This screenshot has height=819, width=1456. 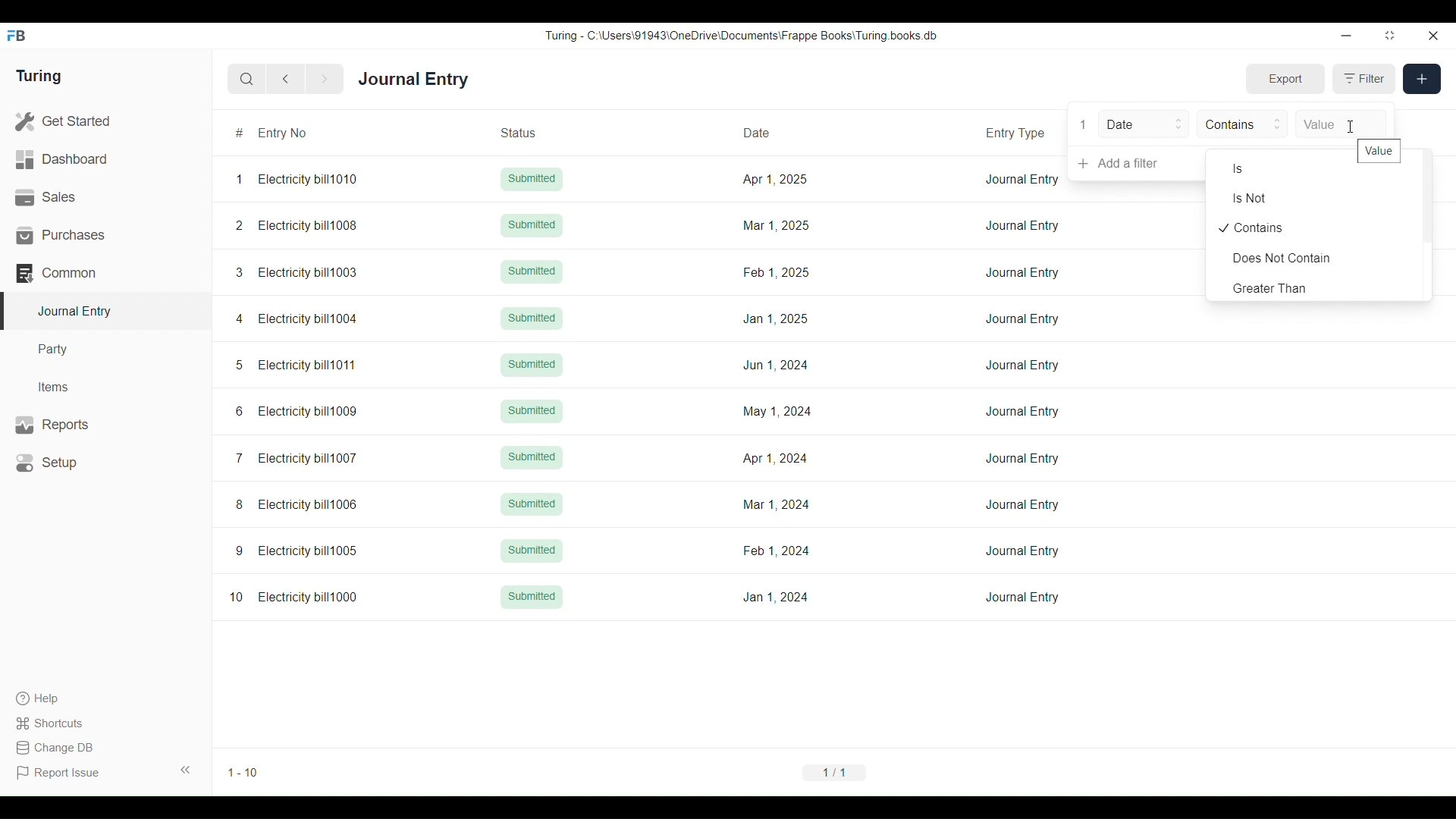 What do you see at coordinates (1379, 150) in the screenshot?
I see `Value` at bounding box center [1379, 150].